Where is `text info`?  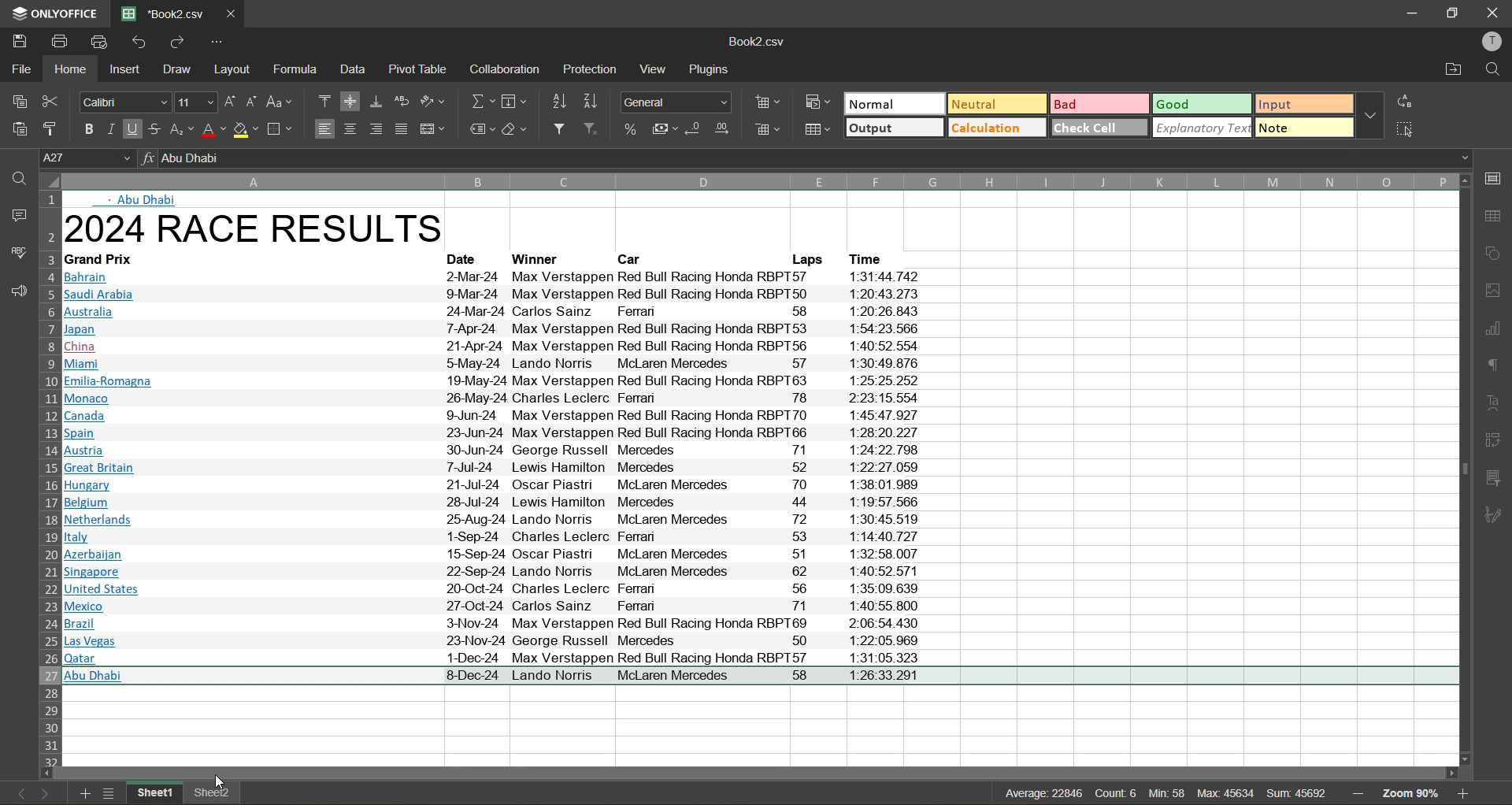
text info is located at coordinates (145, 200).